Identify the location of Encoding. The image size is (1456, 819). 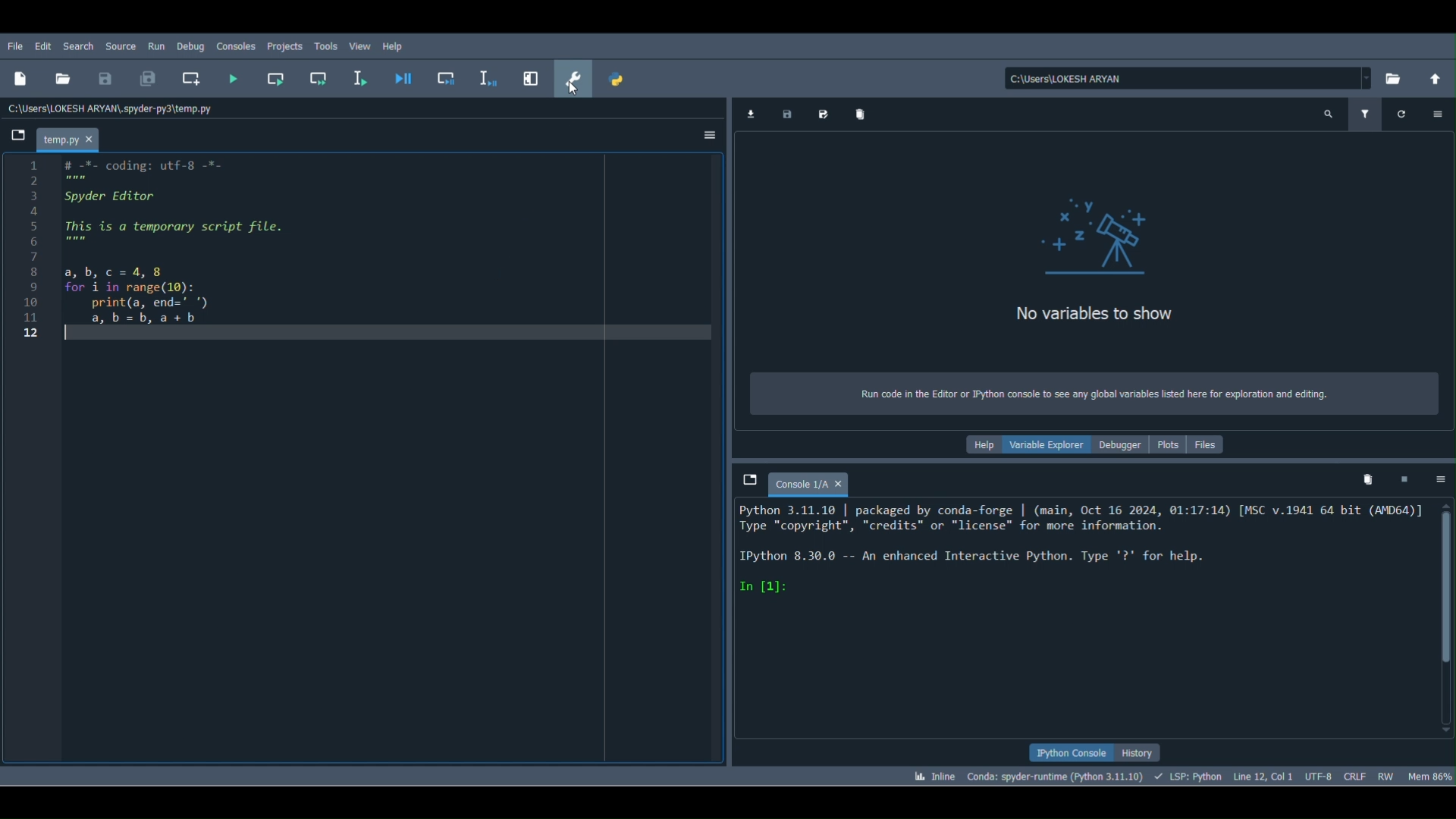
(1319, 776).